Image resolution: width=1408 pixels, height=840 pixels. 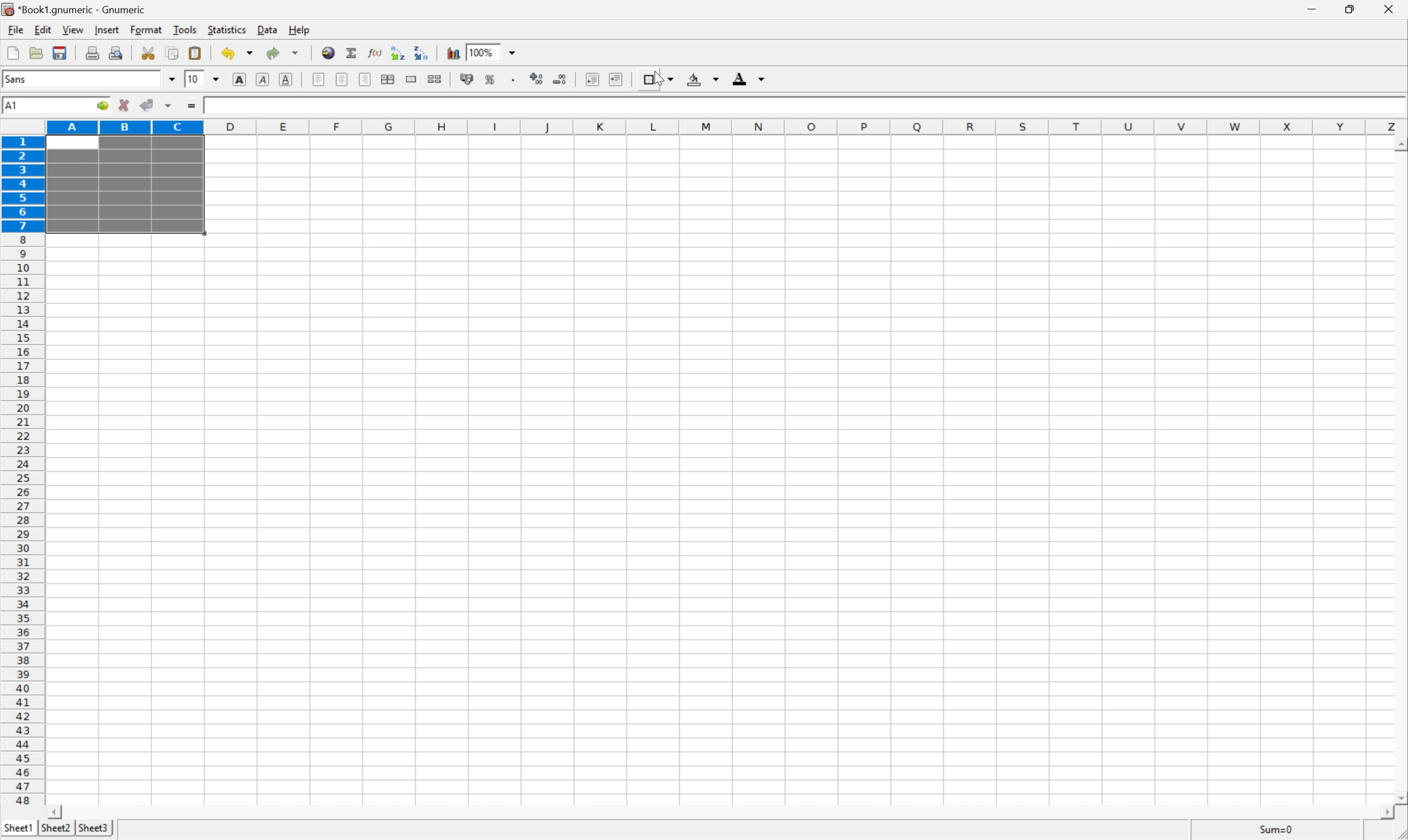 I want to click on edit function in current cell, so click(x=375, y=52).